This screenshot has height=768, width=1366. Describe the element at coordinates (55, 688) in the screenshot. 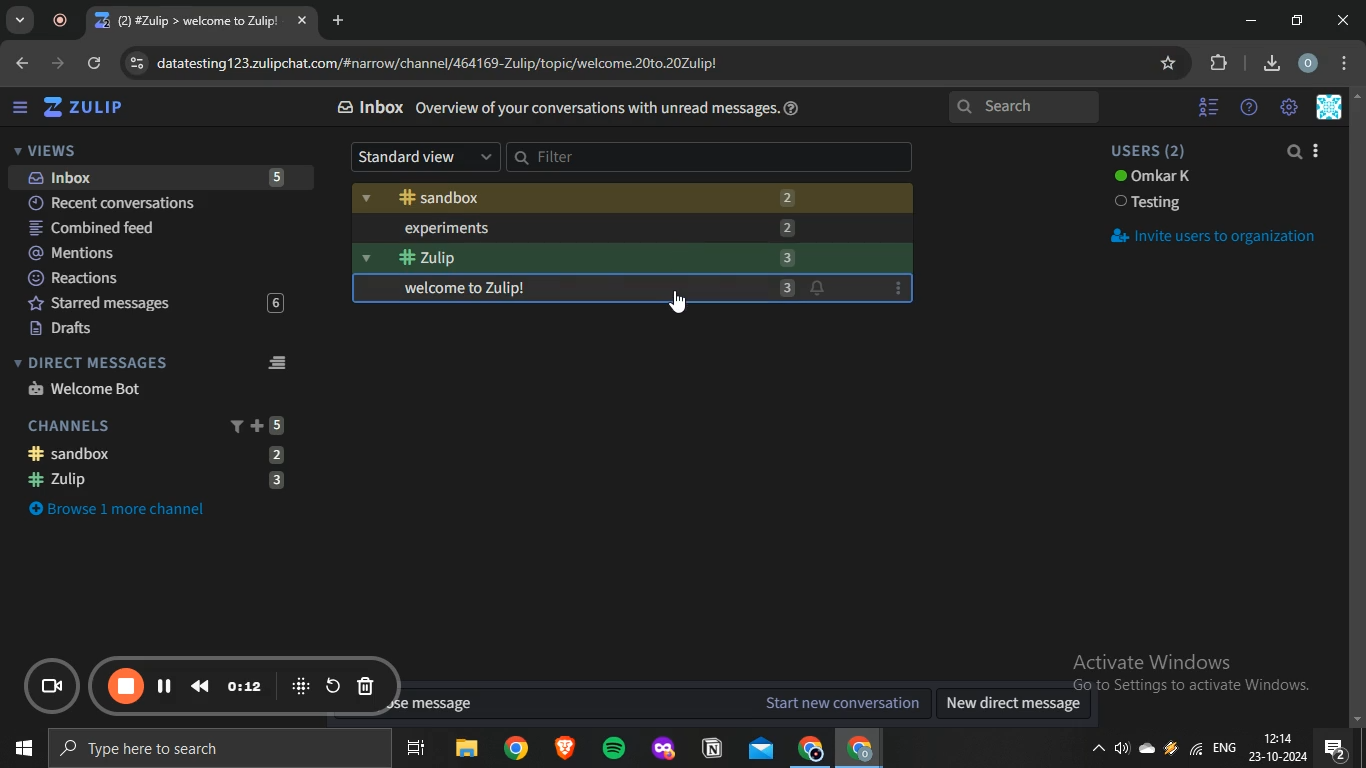

I see `icon` at that location.